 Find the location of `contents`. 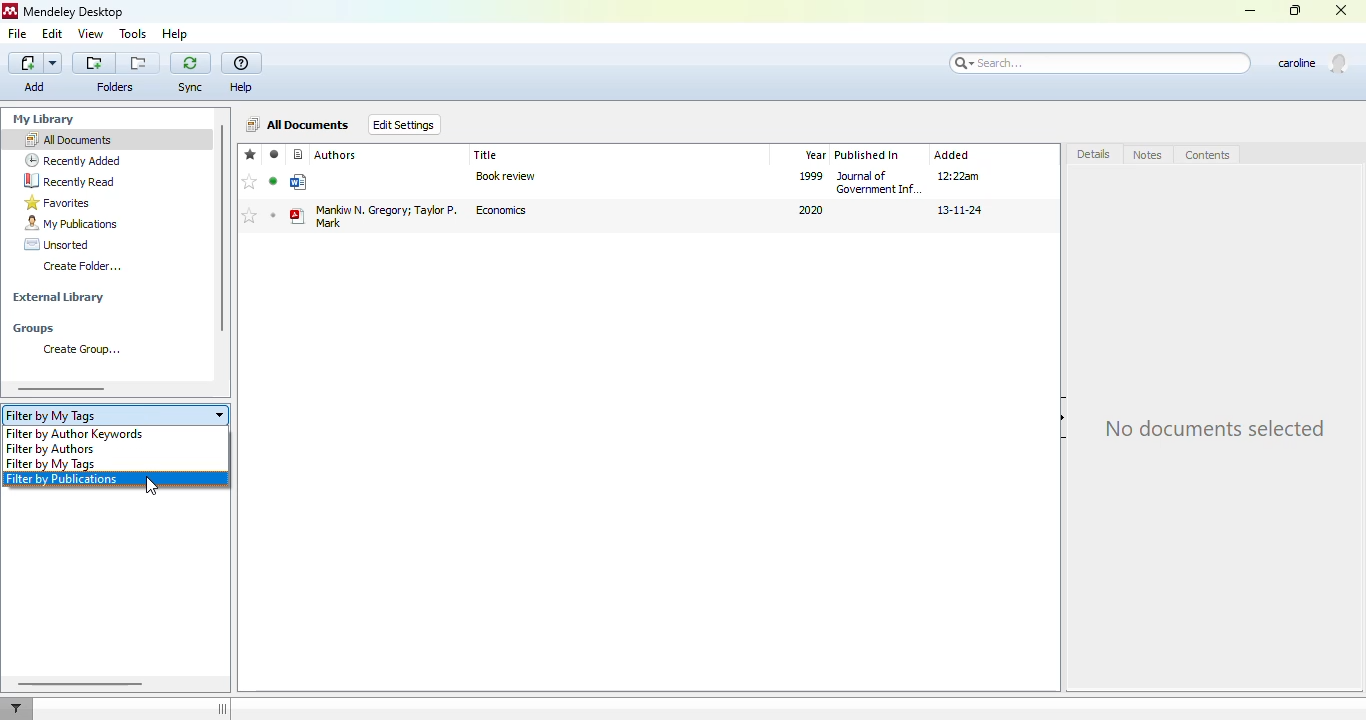

contents is located at coordinates (1208, 155).